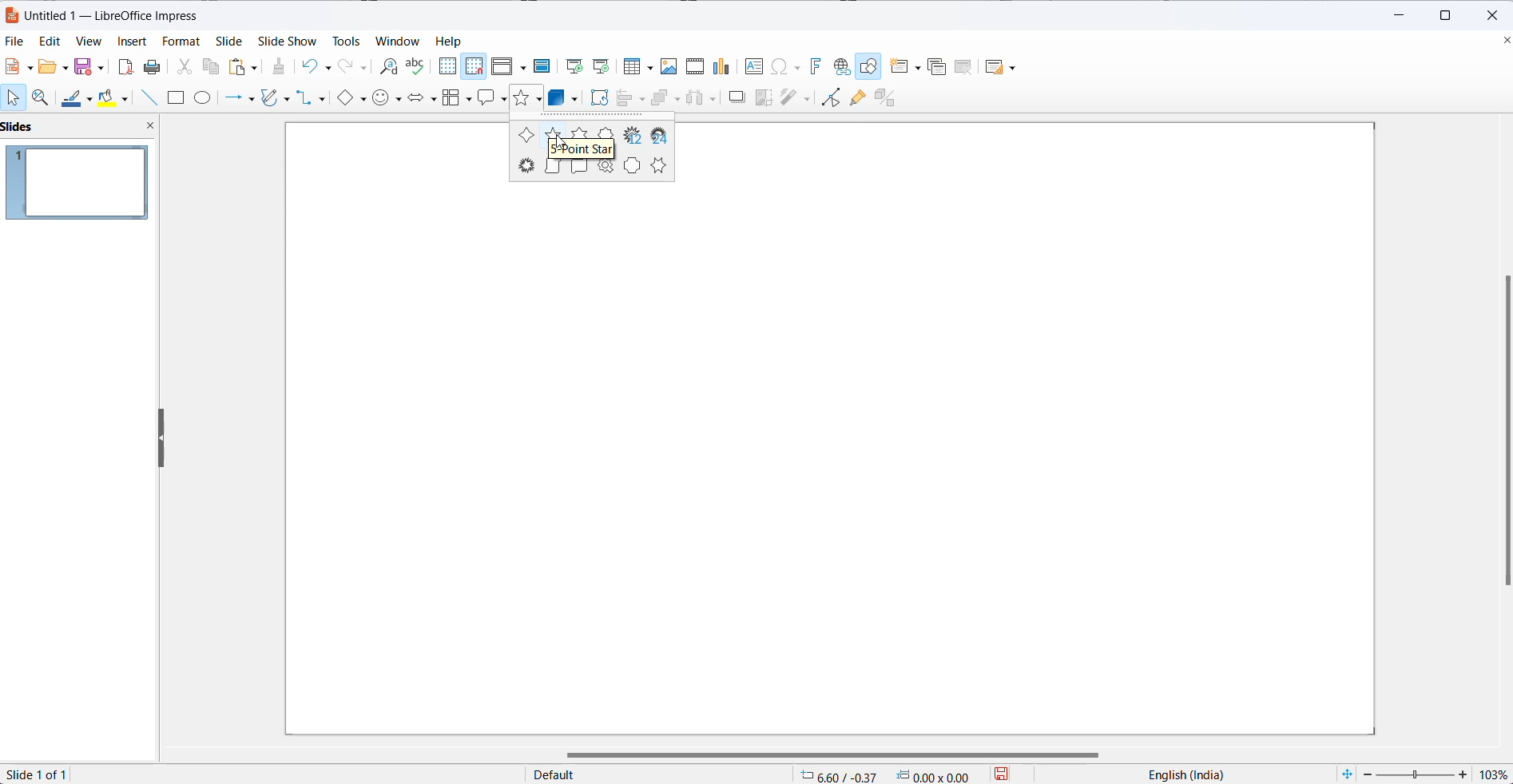  What do you see at coordinates (582, 150) in the screenshot?
I see `5 point star` at bounding box center [582, 150].